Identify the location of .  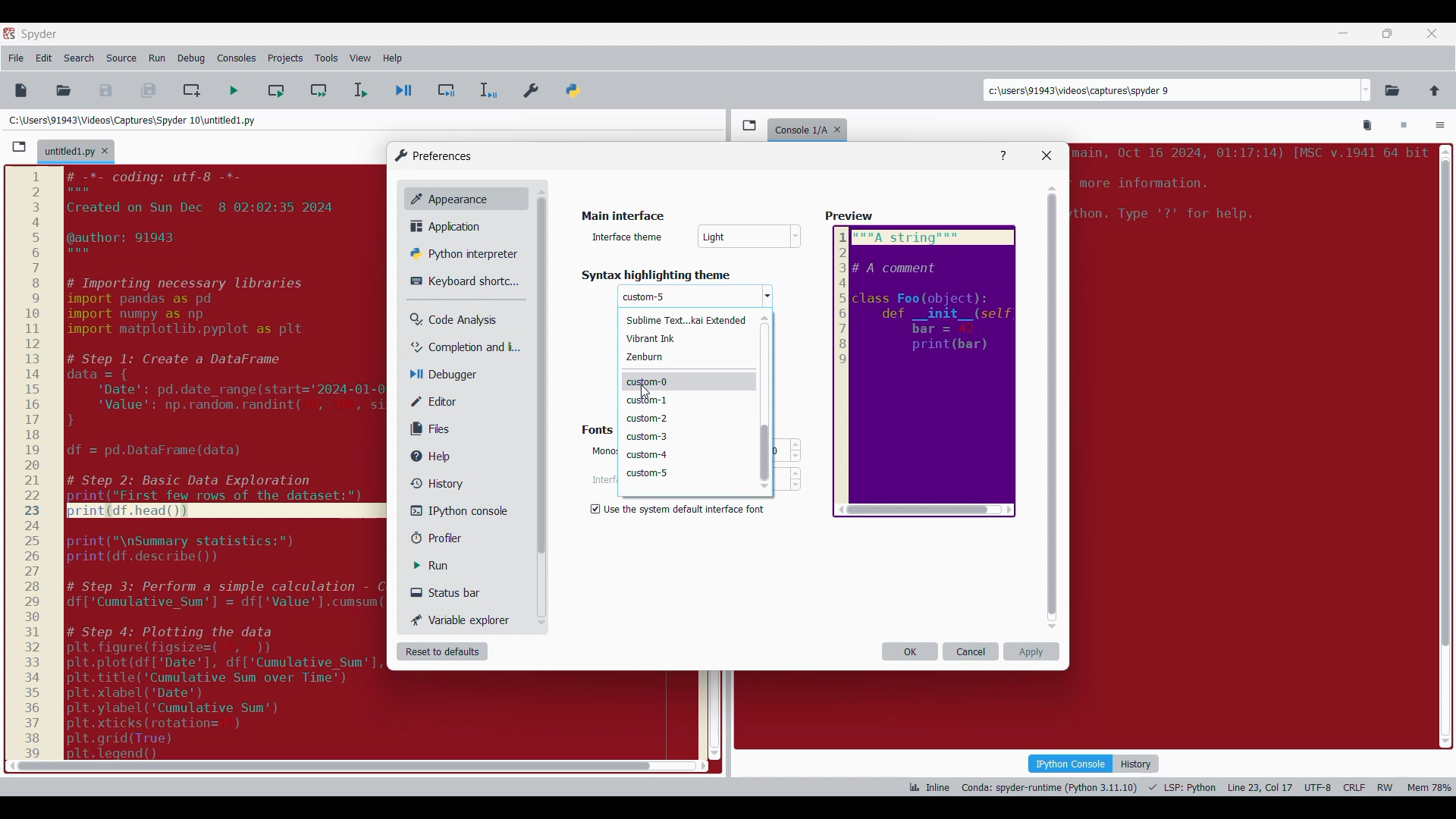
(540, 380).